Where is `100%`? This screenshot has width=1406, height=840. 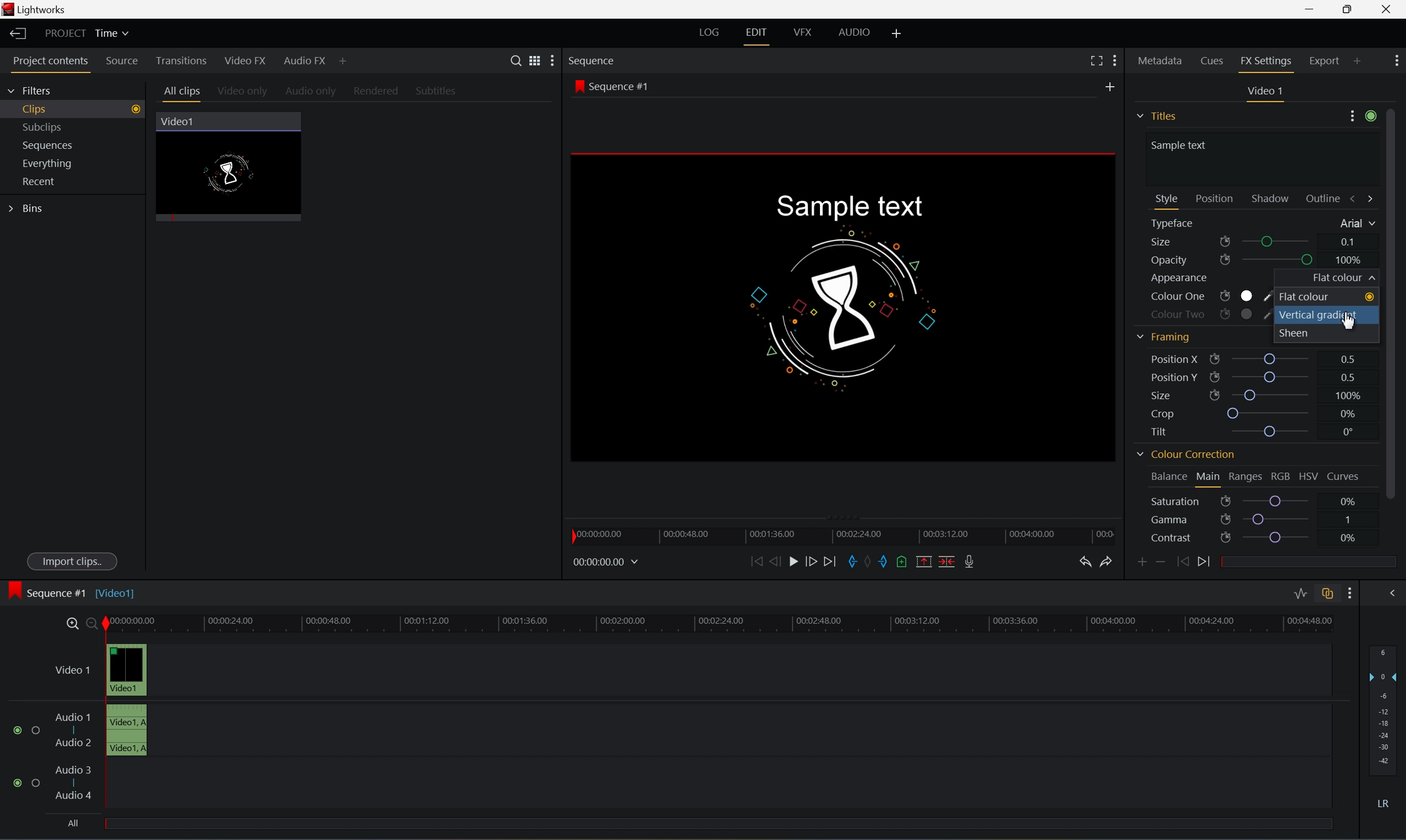
100% is located at coordinates (1347, 395).